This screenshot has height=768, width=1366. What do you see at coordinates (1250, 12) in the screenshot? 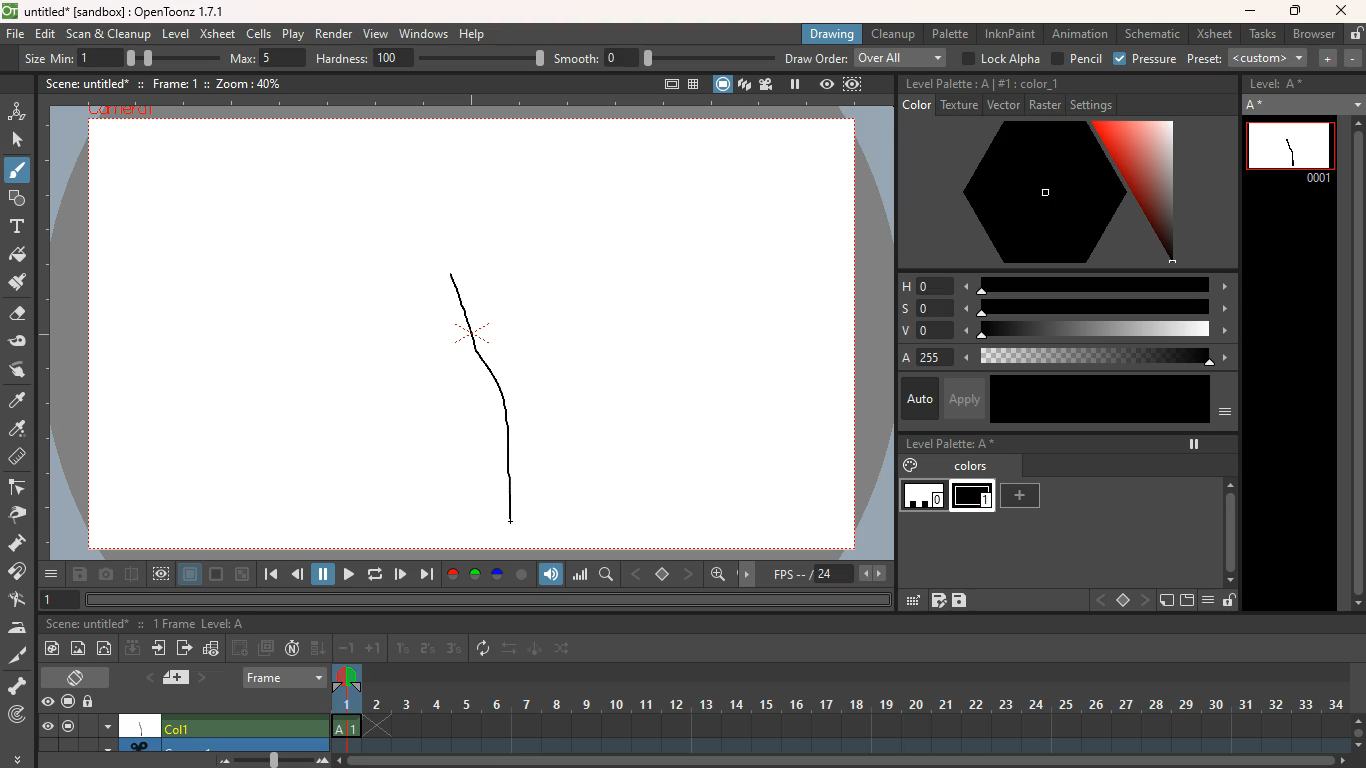
I see `minimize` at bounding box center [1250, 12].